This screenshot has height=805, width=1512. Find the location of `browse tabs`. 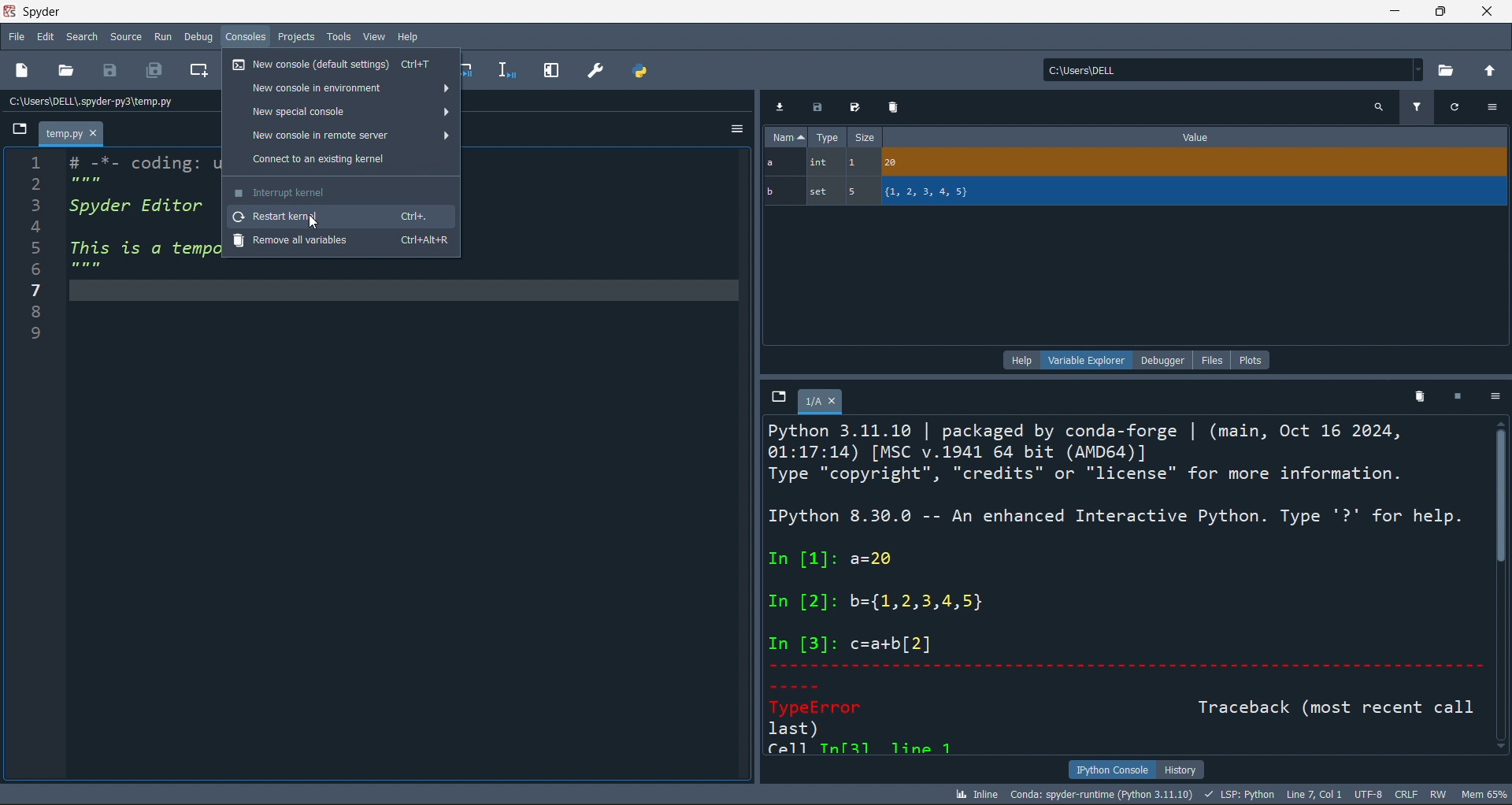

browse tabs is located at coordinates (778, 399).